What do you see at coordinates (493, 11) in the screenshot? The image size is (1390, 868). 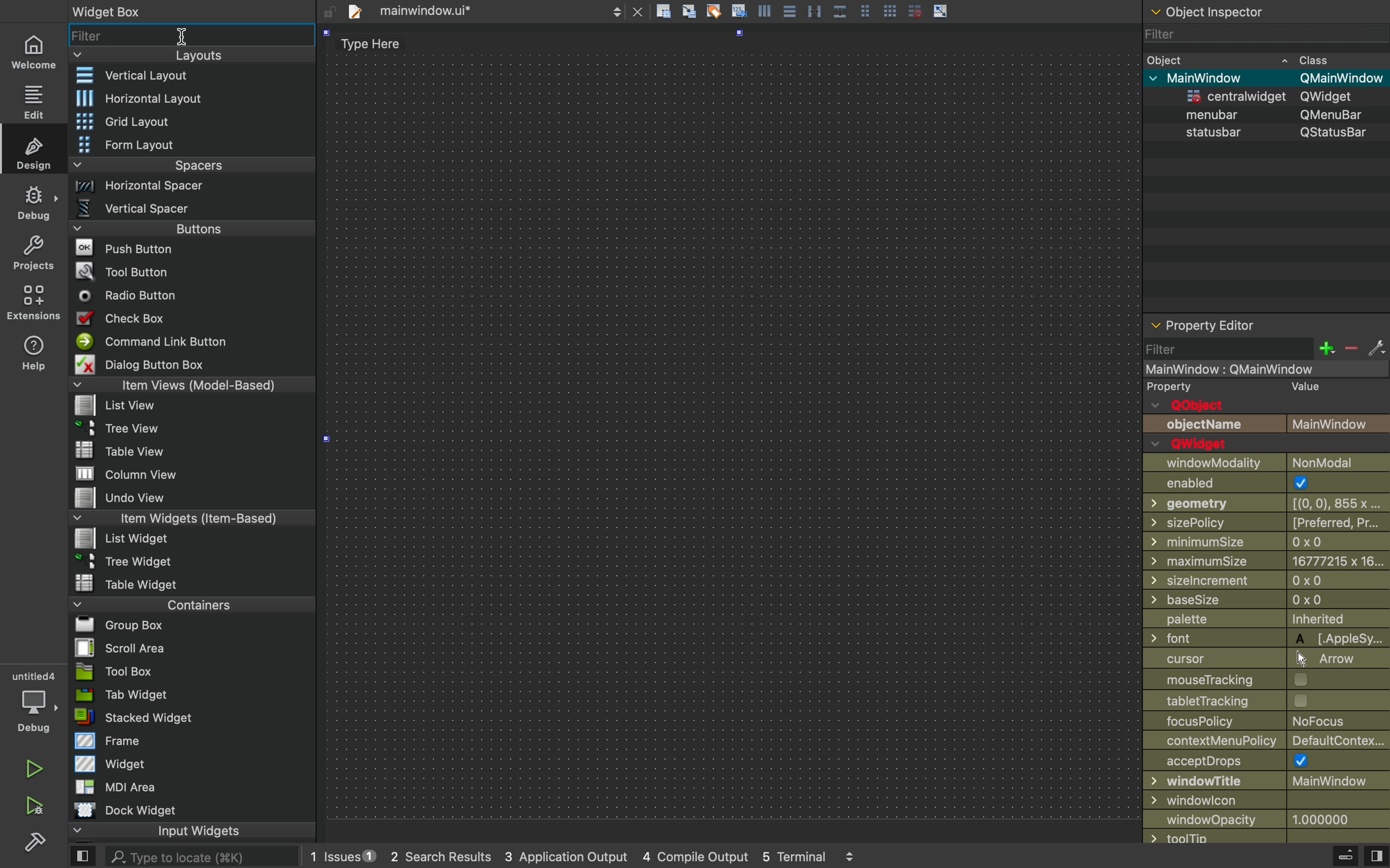 I see `file` at bounding box center [493, 11].